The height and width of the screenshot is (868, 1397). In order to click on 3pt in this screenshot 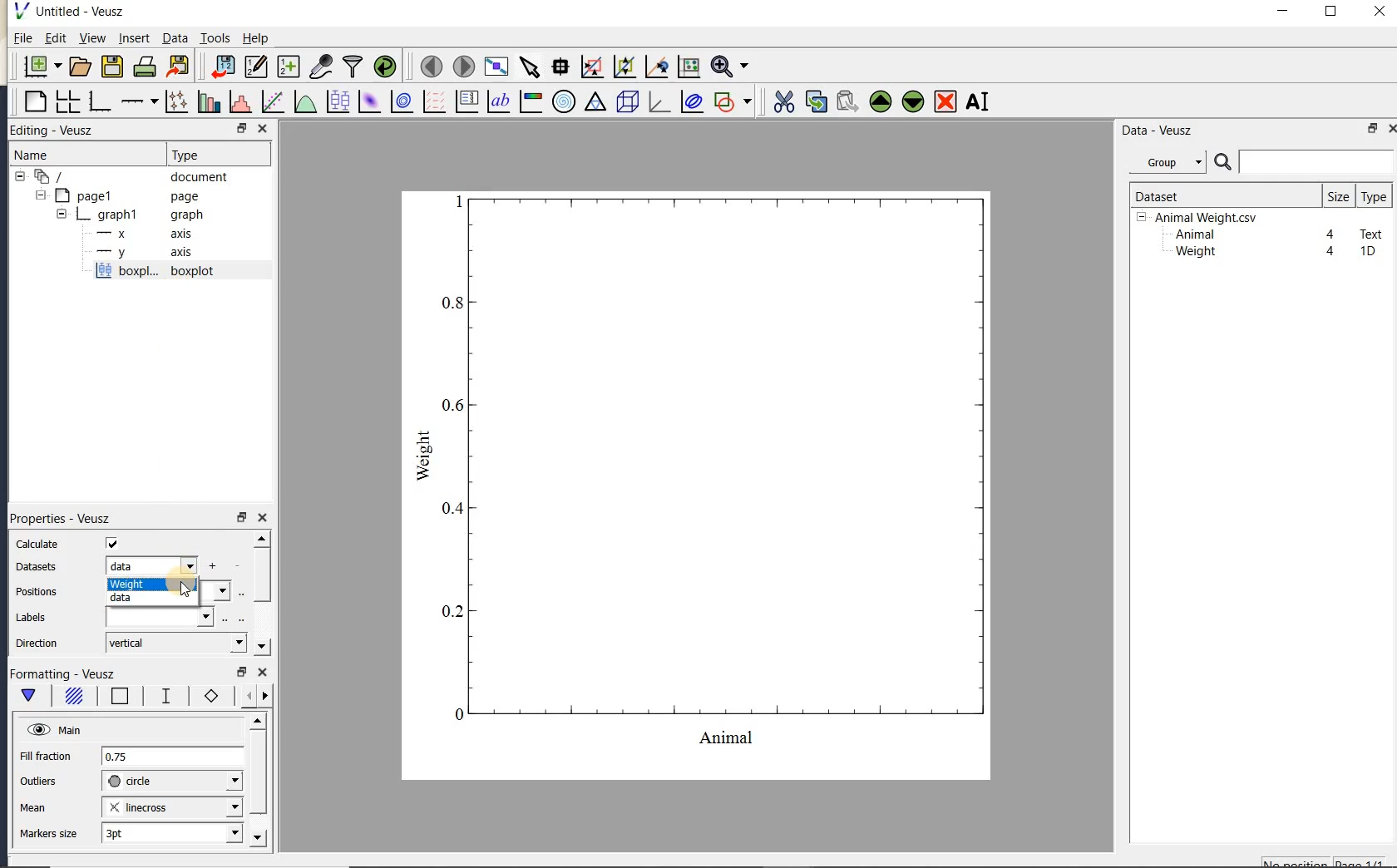, I will do `click(170, 832)`.